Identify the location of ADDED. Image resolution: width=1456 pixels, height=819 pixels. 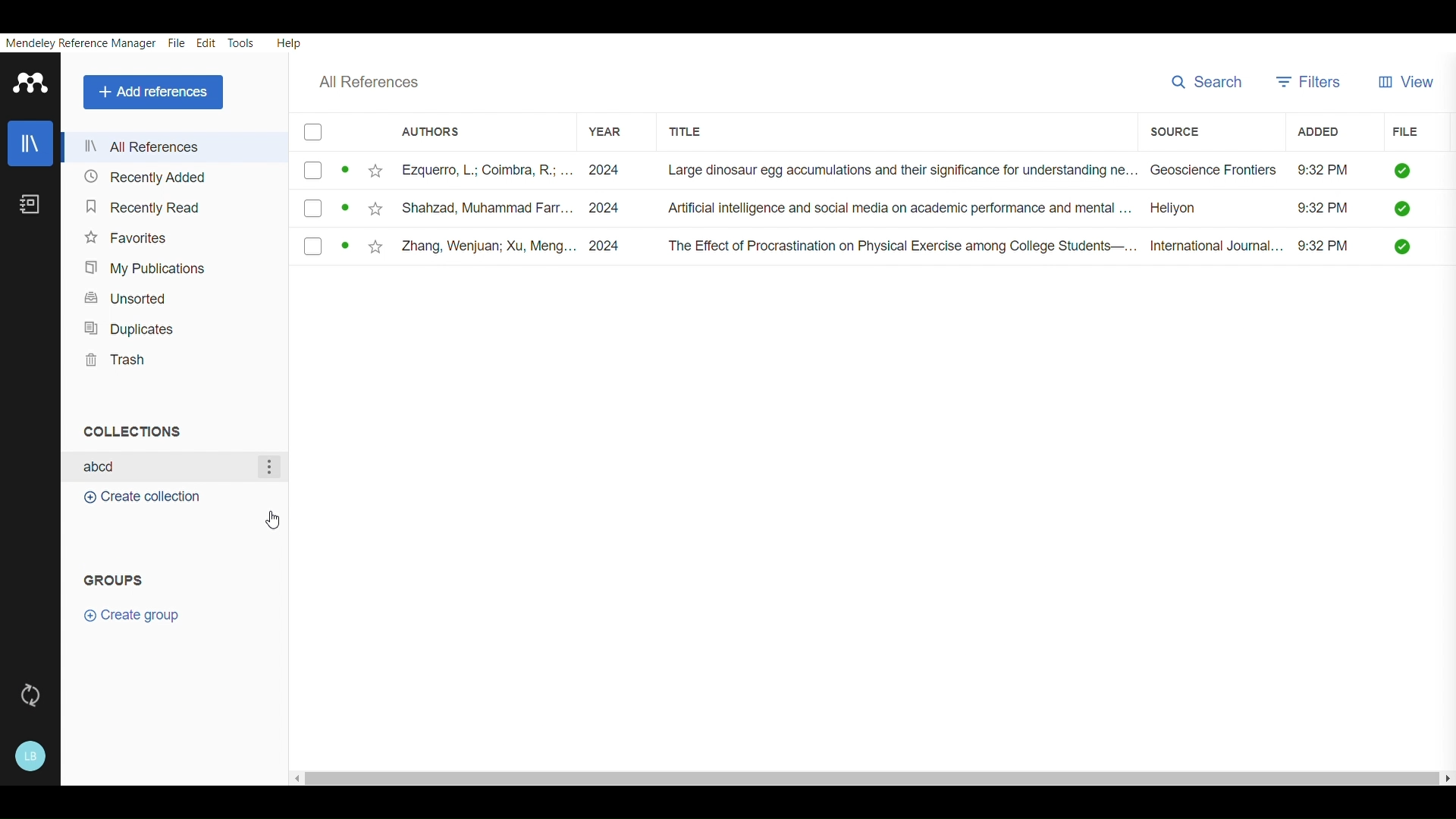
(1312, 133).